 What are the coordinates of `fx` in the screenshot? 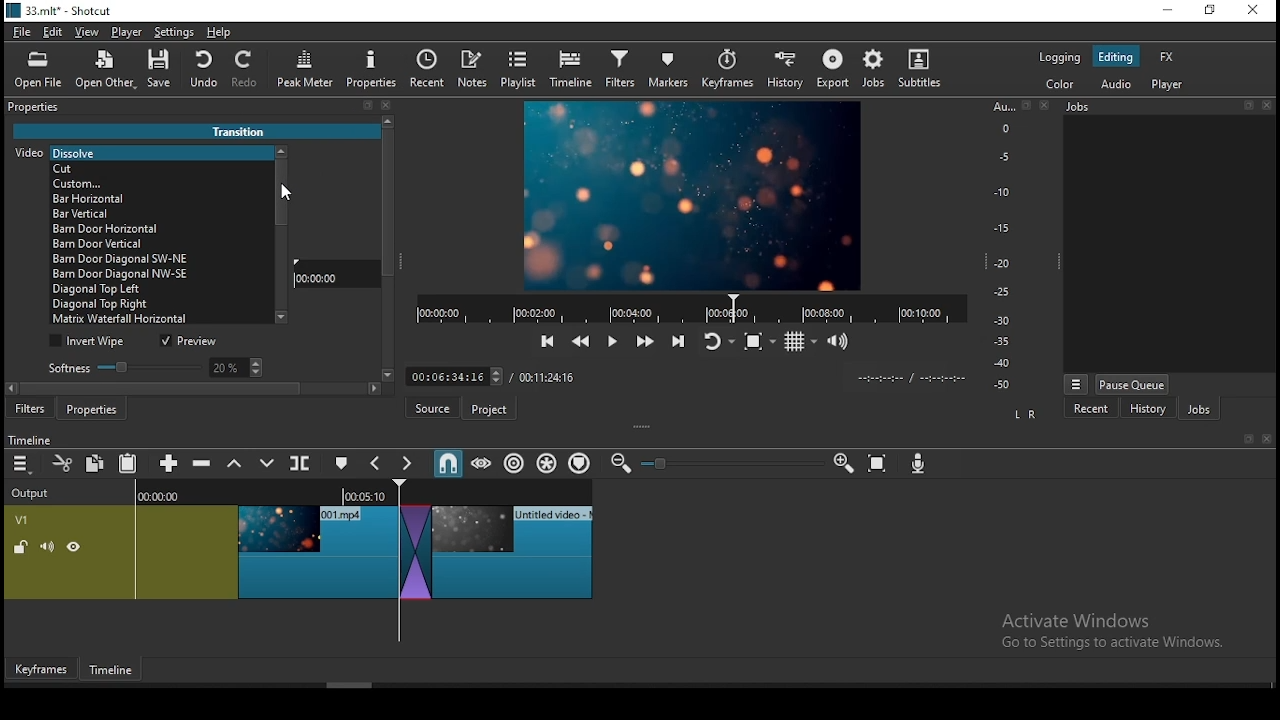 It's located at (1167, 58).